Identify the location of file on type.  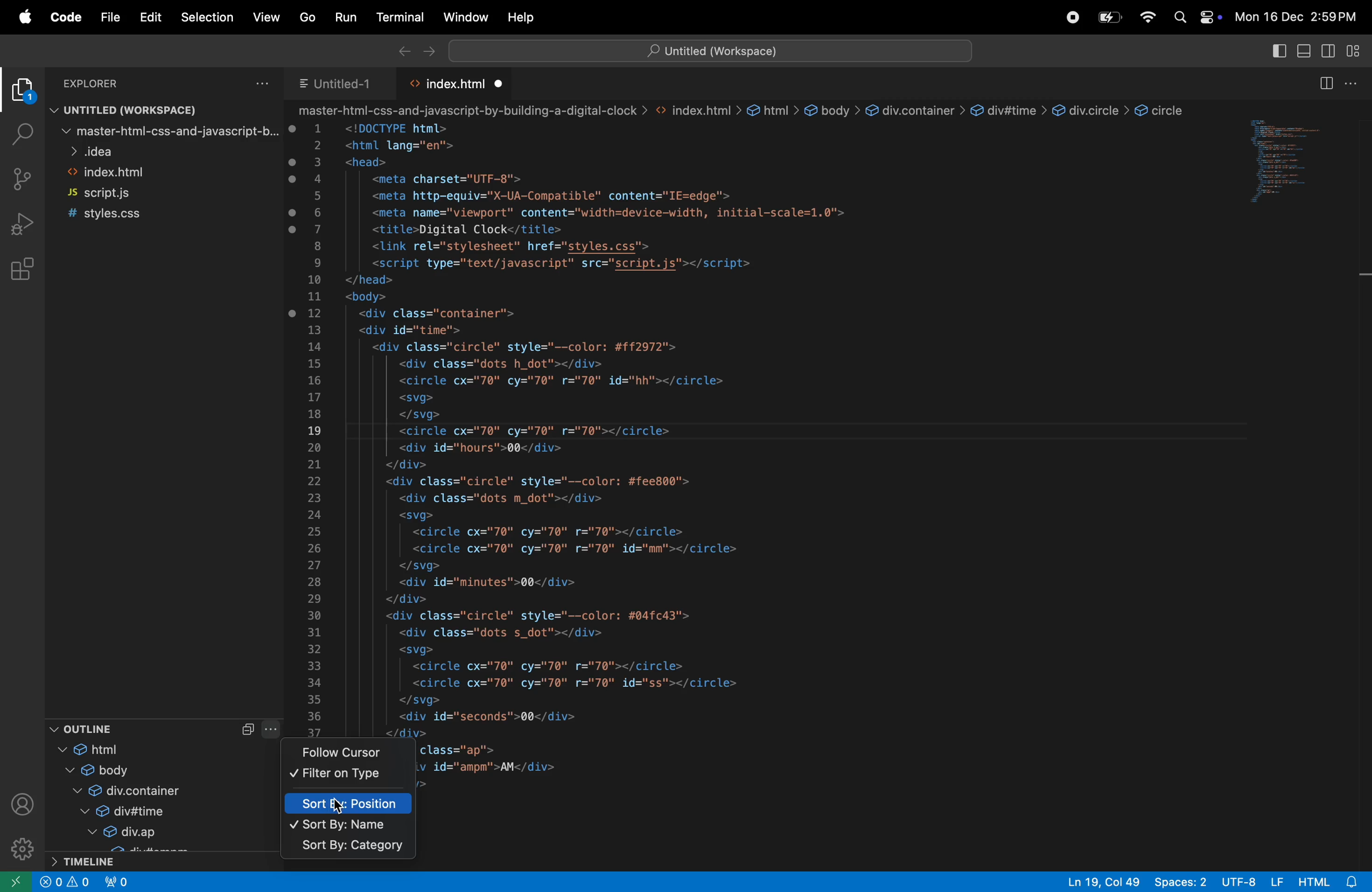
(349, 776).